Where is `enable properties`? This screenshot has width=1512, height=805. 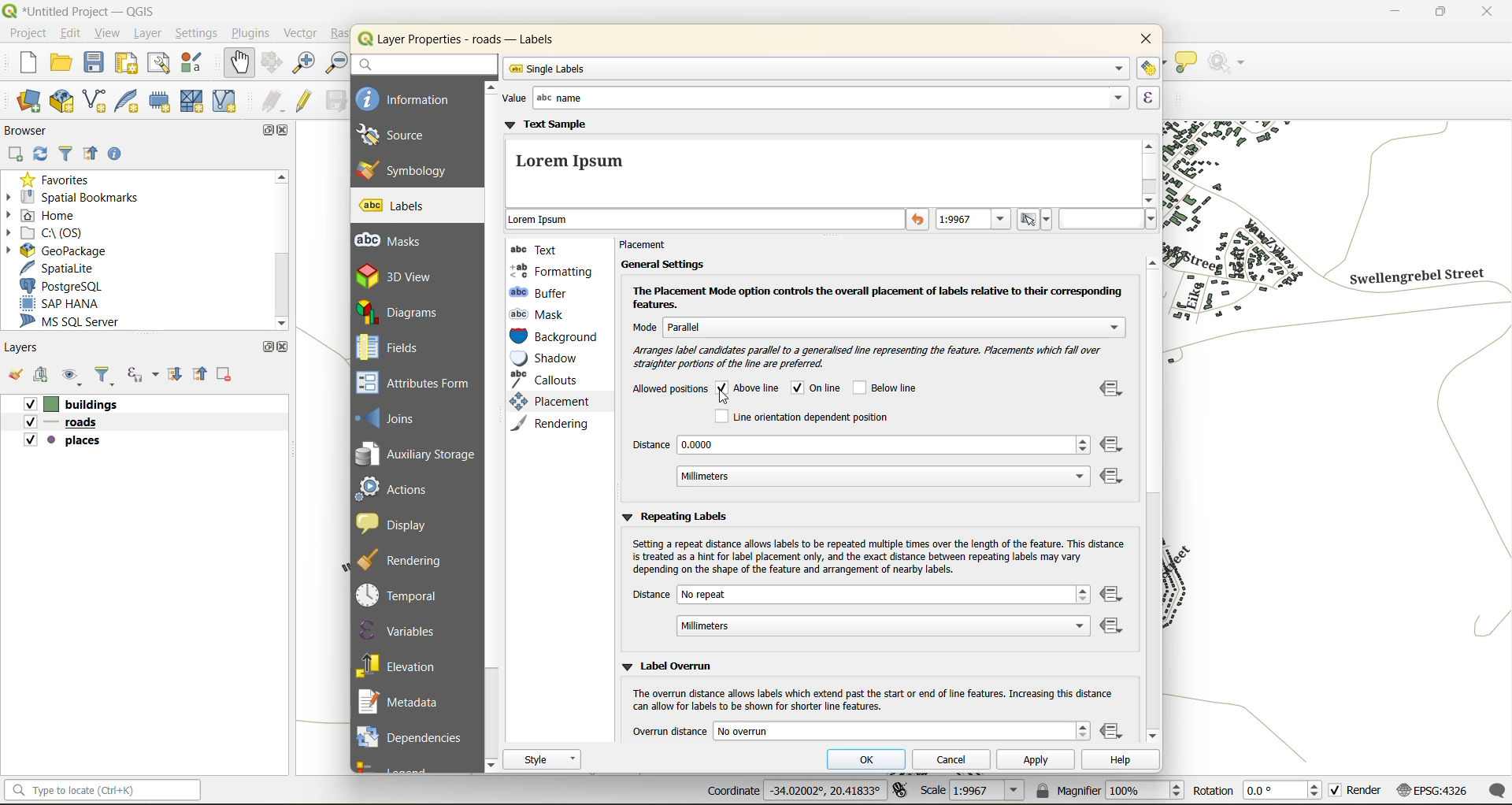 enable properties is located at coordinates (117, 154).